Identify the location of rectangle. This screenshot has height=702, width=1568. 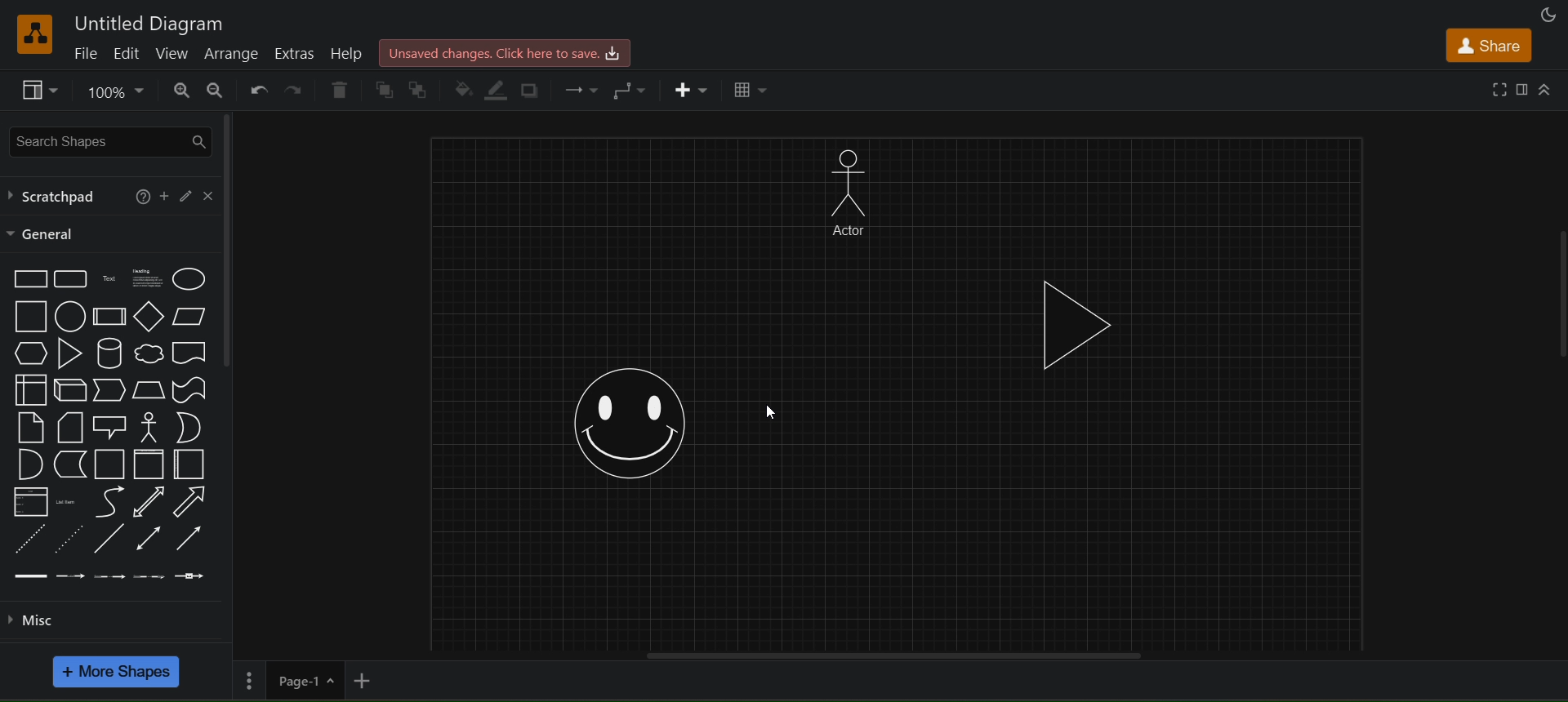
(28, 280).